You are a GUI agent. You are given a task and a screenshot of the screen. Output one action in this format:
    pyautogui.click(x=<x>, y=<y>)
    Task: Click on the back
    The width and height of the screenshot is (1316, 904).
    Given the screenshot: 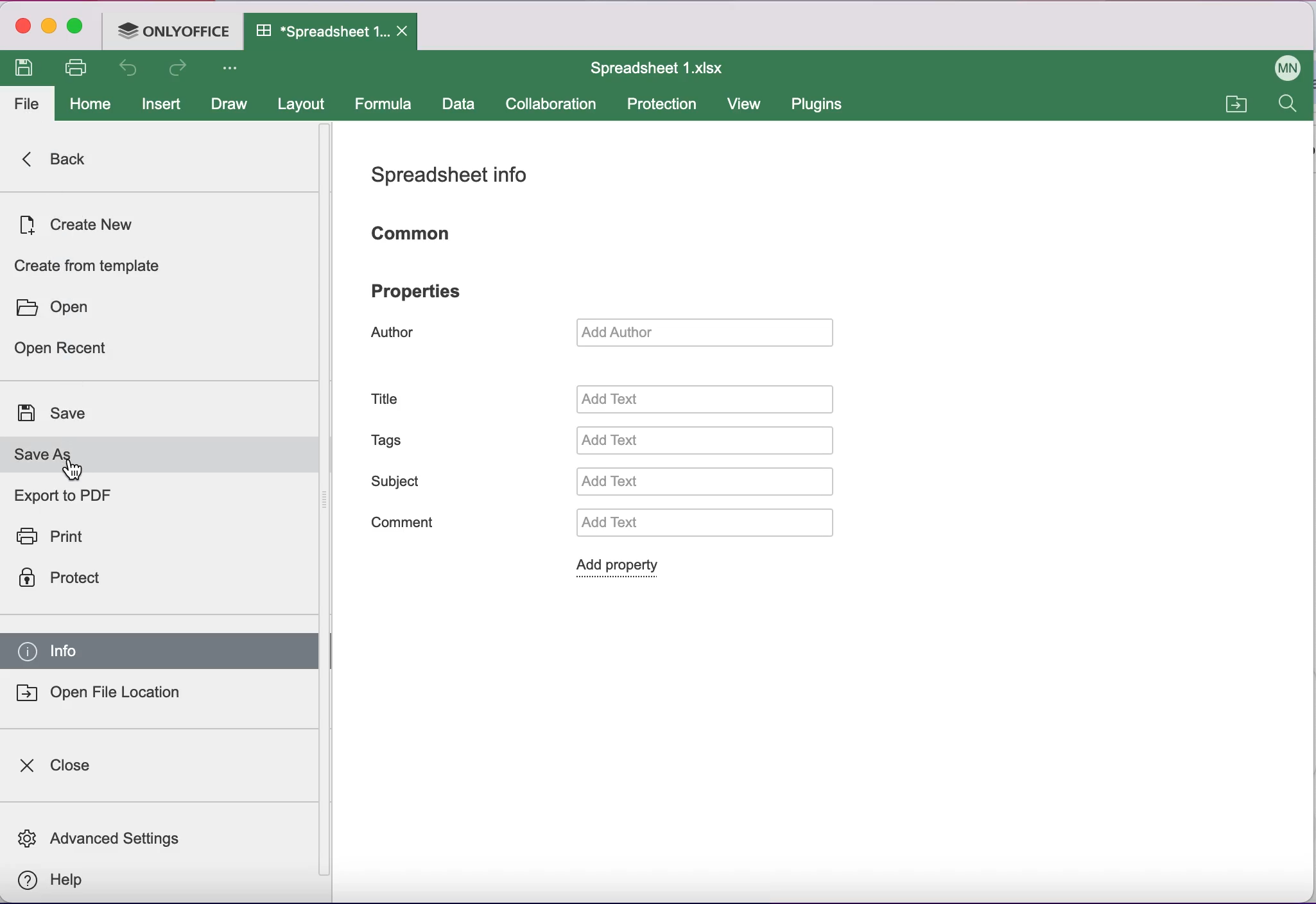 What is the action you would take?
    pyautogui.click(x=62, y=160)
    